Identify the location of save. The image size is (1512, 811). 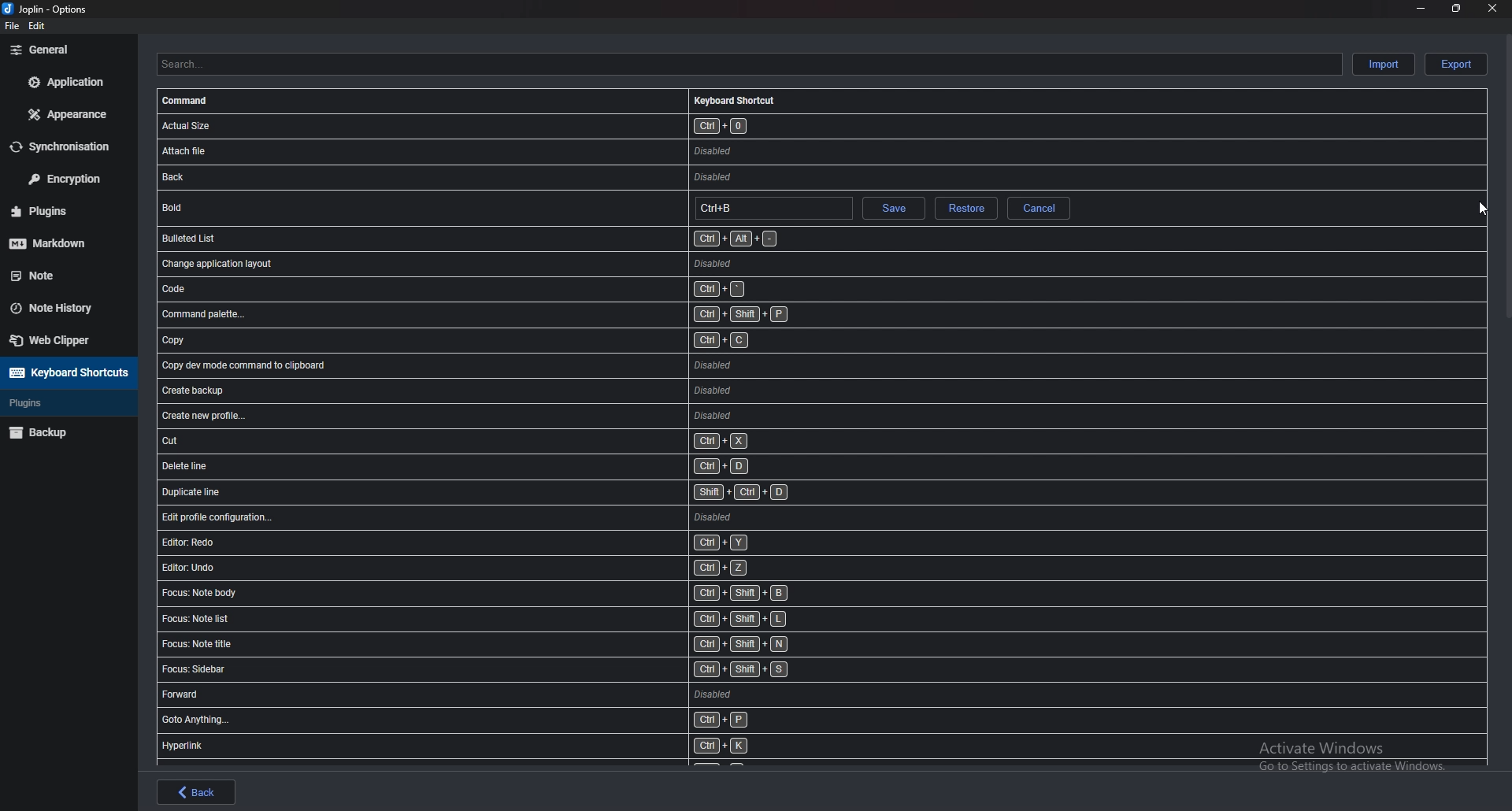
(894, 209).